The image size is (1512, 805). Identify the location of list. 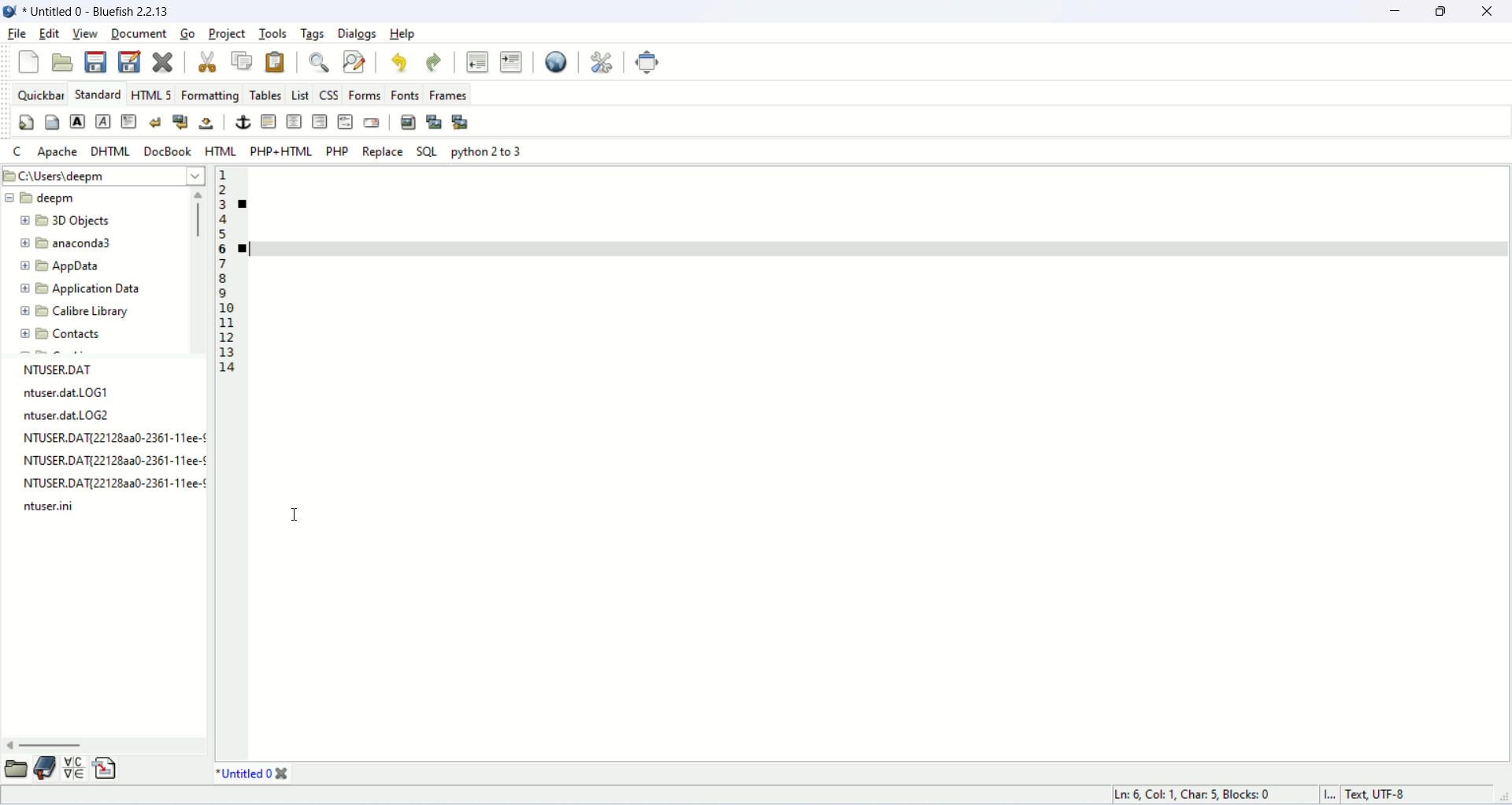
(299, 95).